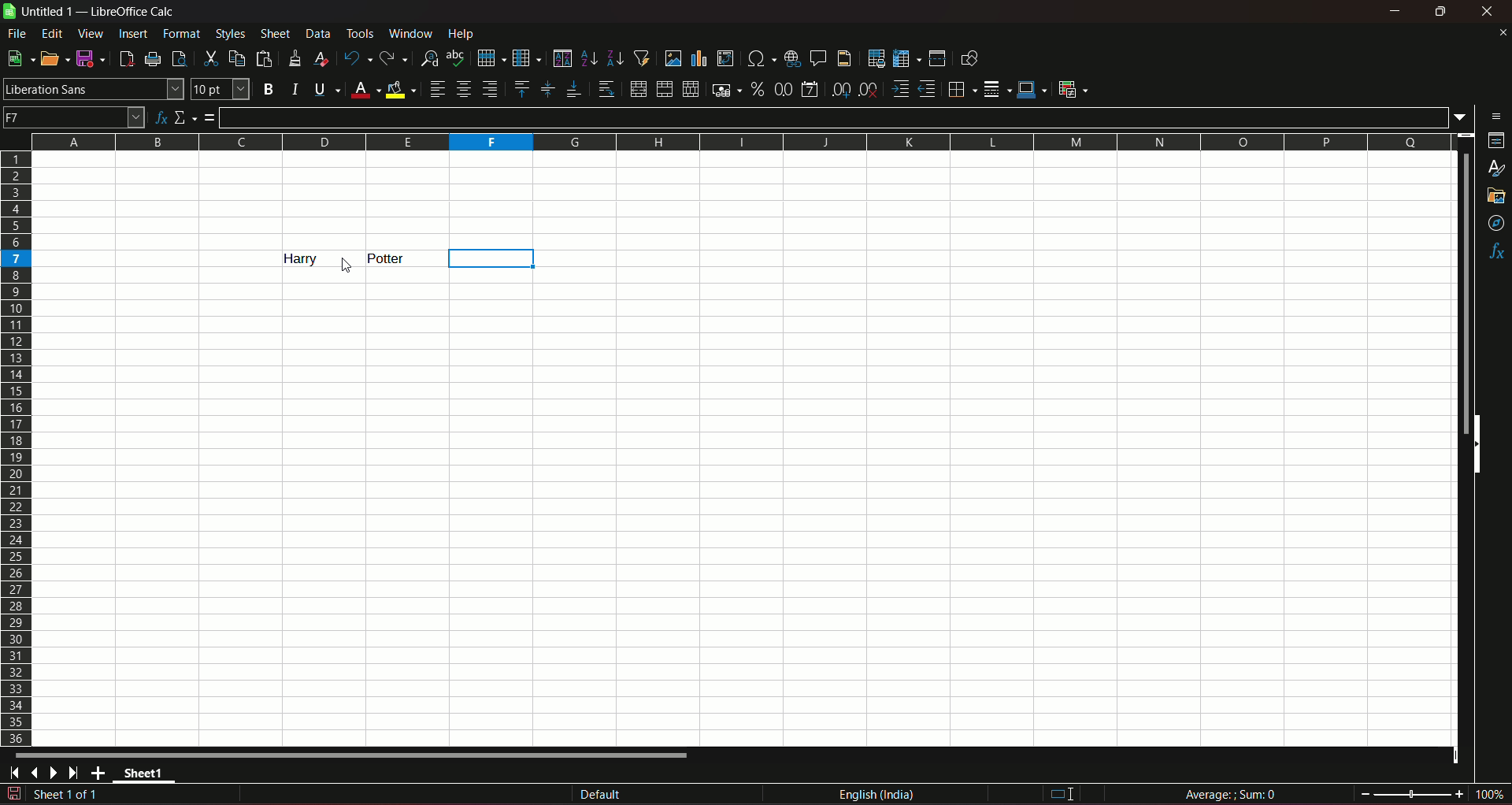 This screenshot has width=1512, height=805. Describe the element at coordinates (606, 90) in the screenshot. I see `wrap text` at that location.